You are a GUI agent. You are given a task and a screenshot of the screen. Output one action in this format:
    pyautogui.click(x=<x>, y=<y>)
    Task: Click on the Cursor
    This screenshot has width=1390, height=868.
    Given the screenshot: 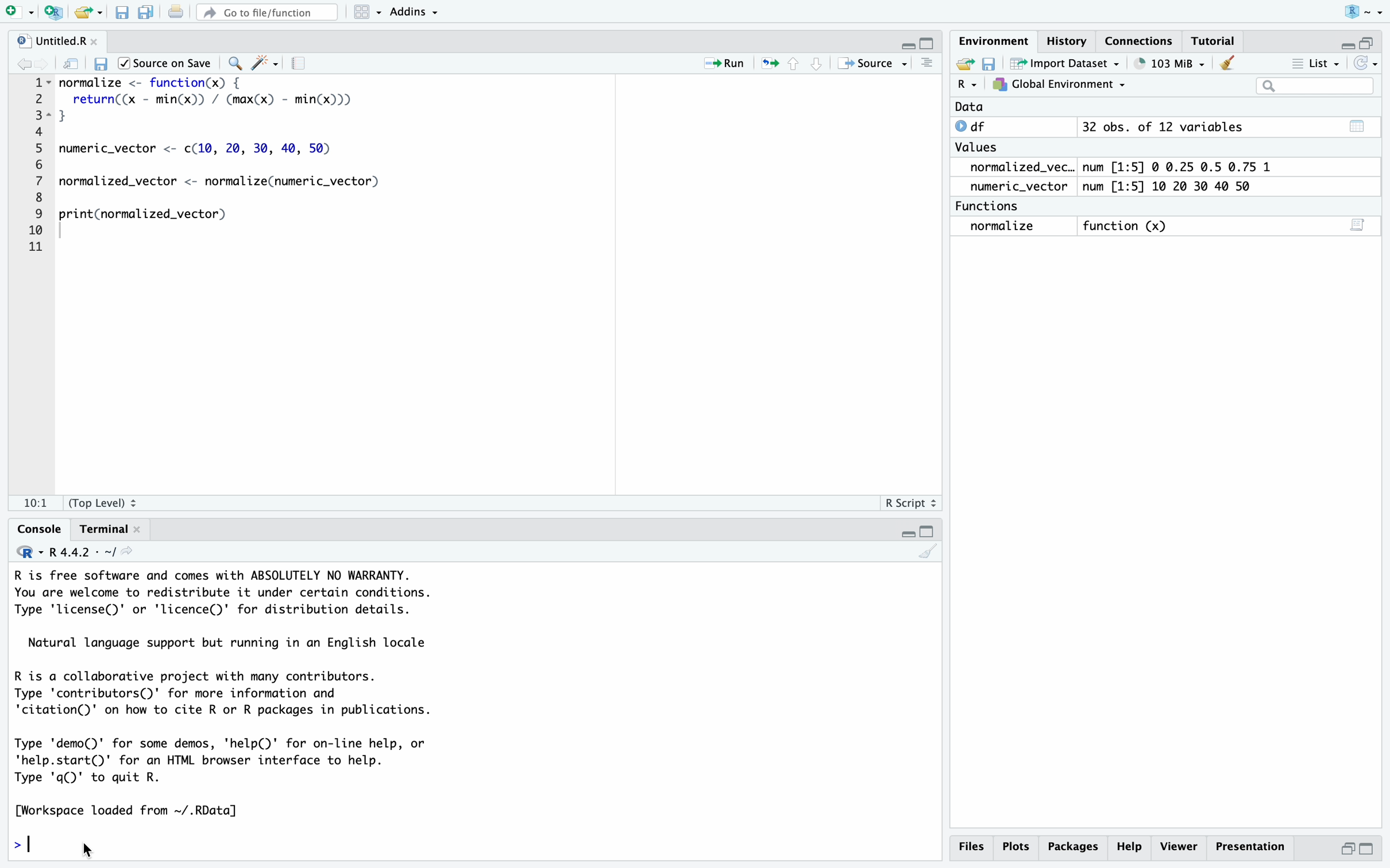 What is the action you would take?
    pyautogui.click(x=106, y=849)
    